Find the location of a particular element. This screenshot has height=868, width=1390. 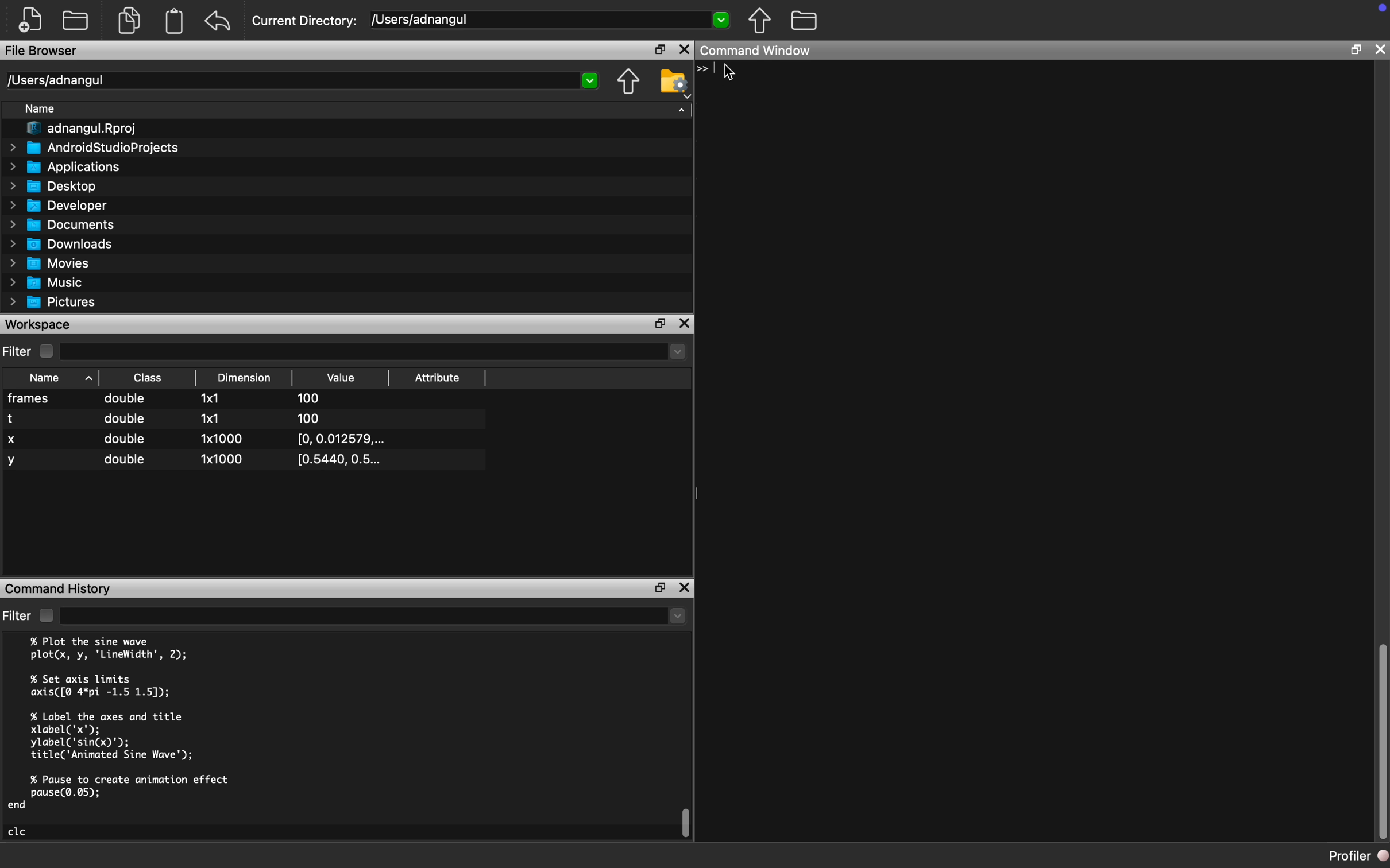

Parent Directory is located at coordinates (759, 21).